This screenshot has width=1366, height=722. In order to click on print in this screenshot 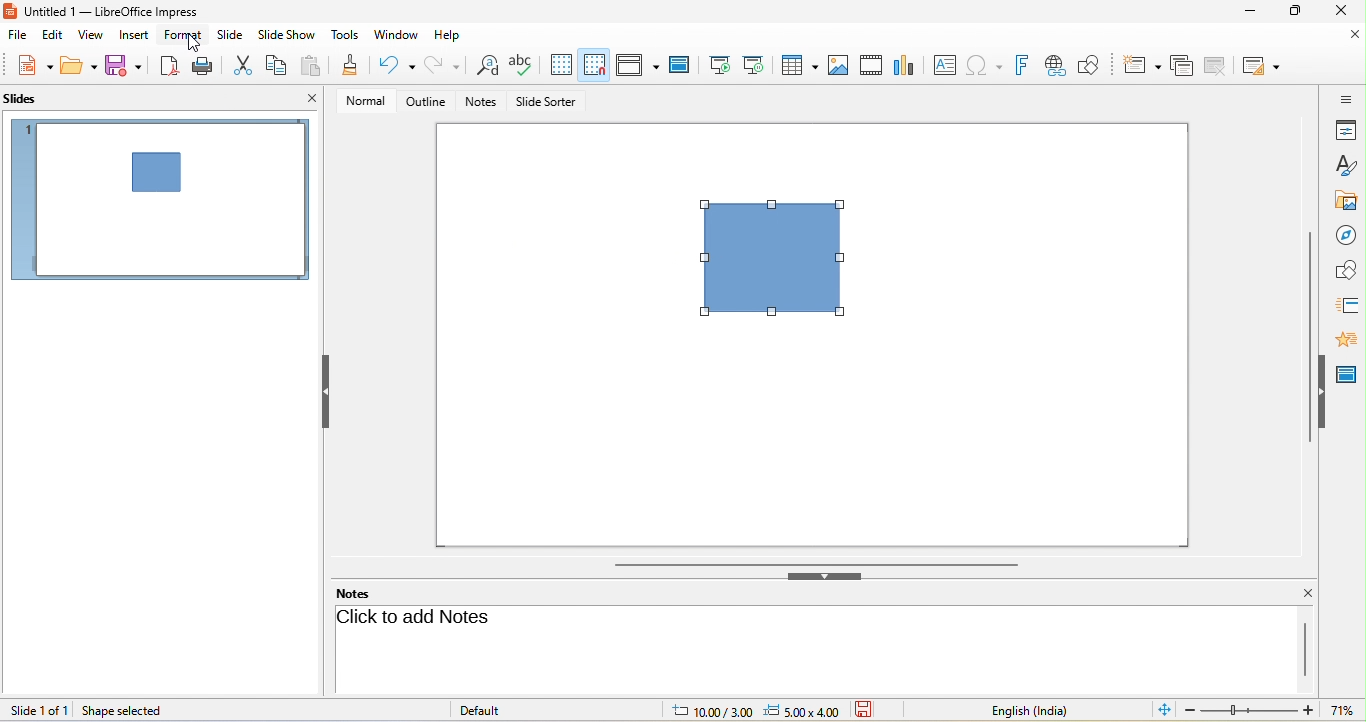, I will do `click(199, 65)`.